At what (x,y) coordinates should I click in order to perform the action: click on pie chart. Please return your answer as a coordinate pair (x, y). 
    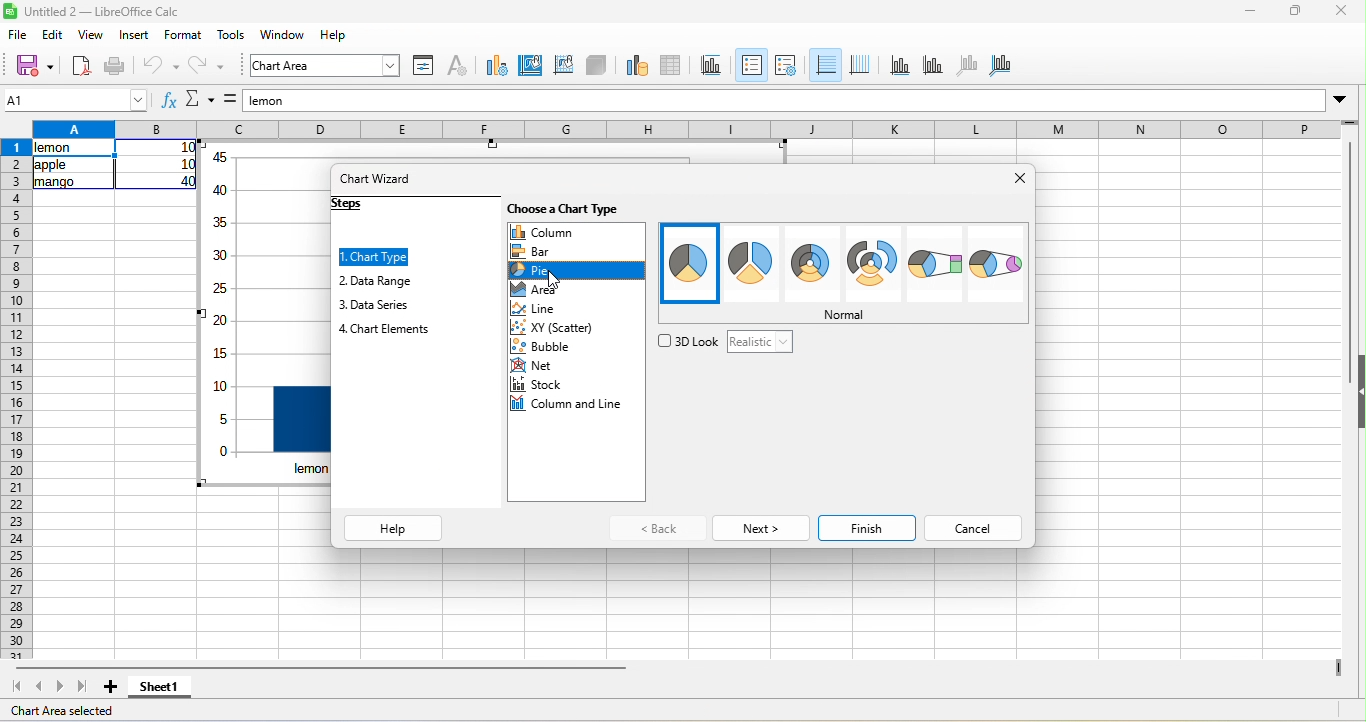
    Looking at the image, I should click on (813, 265).